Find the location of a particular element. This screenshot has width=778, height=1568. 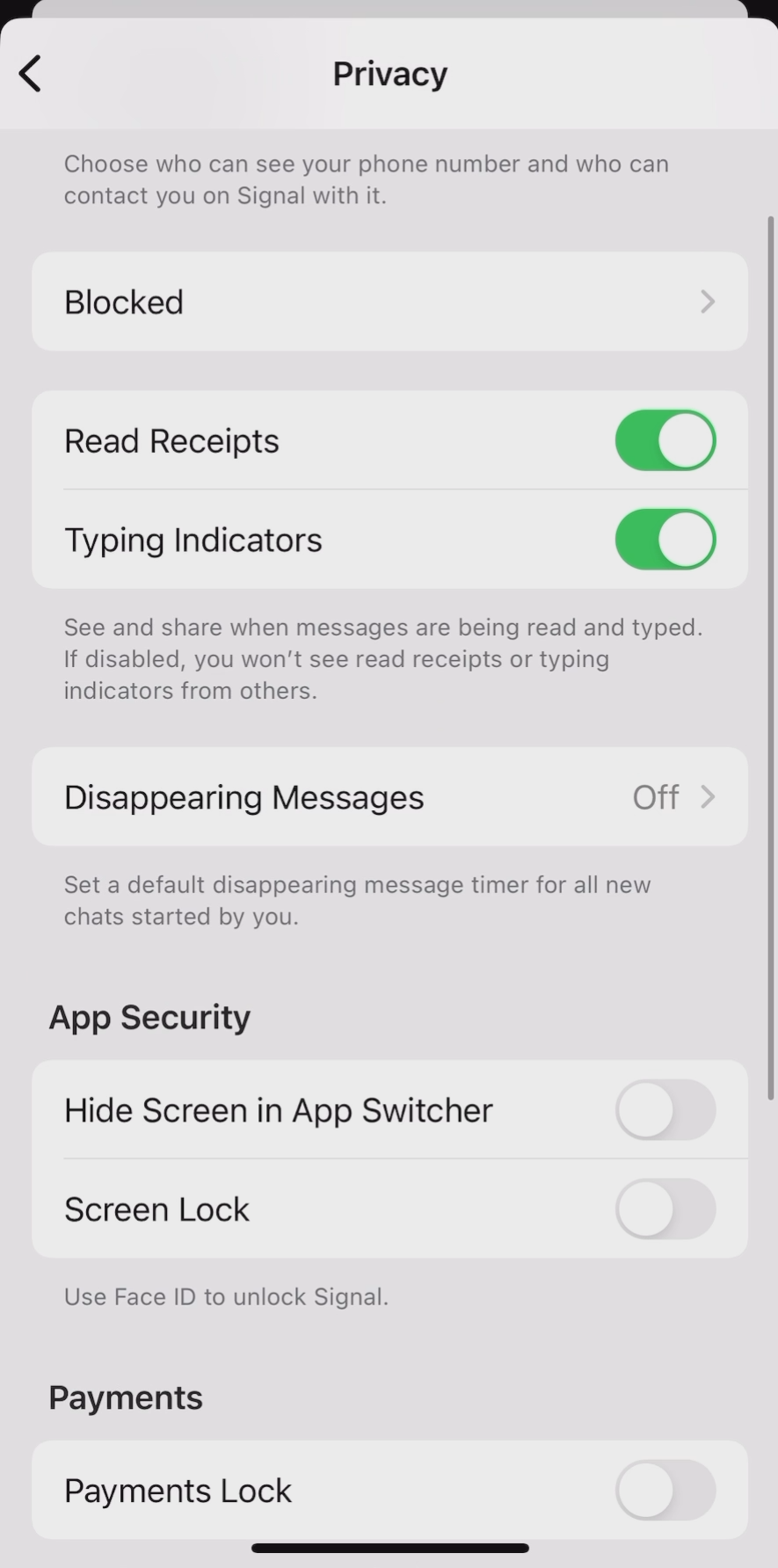

read receipts enabled is located at coordinates (390, 440).